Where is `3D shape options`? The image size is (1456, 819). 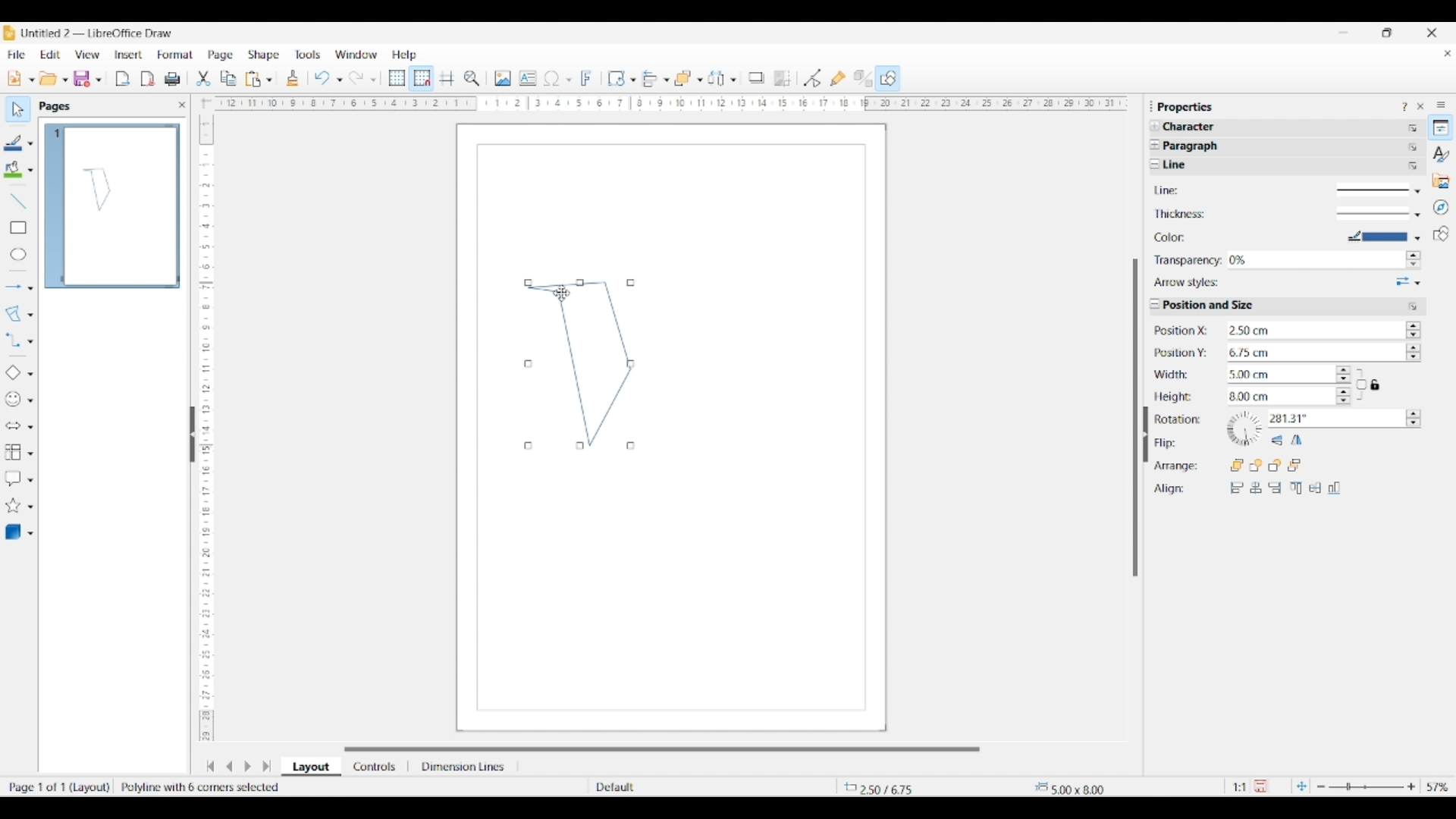
3D shape options is located at coordinates (30, 534).